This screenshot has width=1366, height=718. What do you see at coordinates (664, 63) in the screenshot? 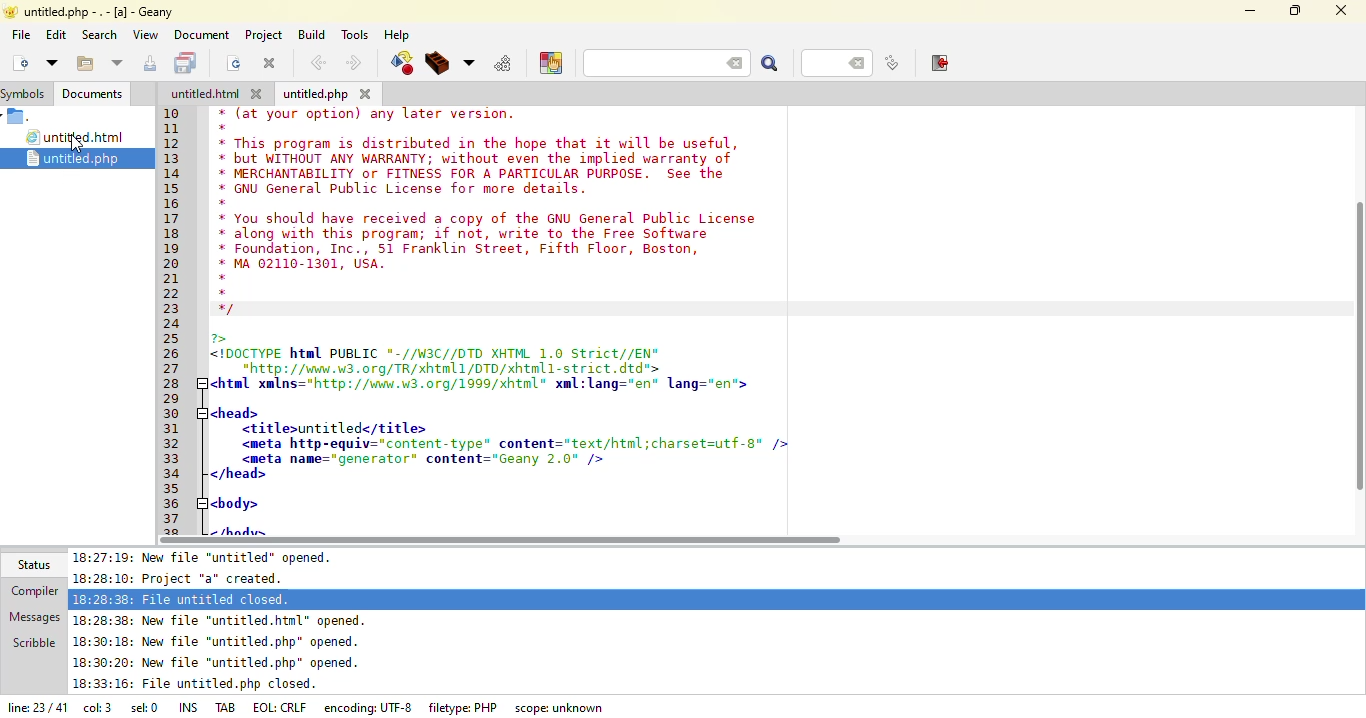
I see `search` at bounding box center [664, 63].